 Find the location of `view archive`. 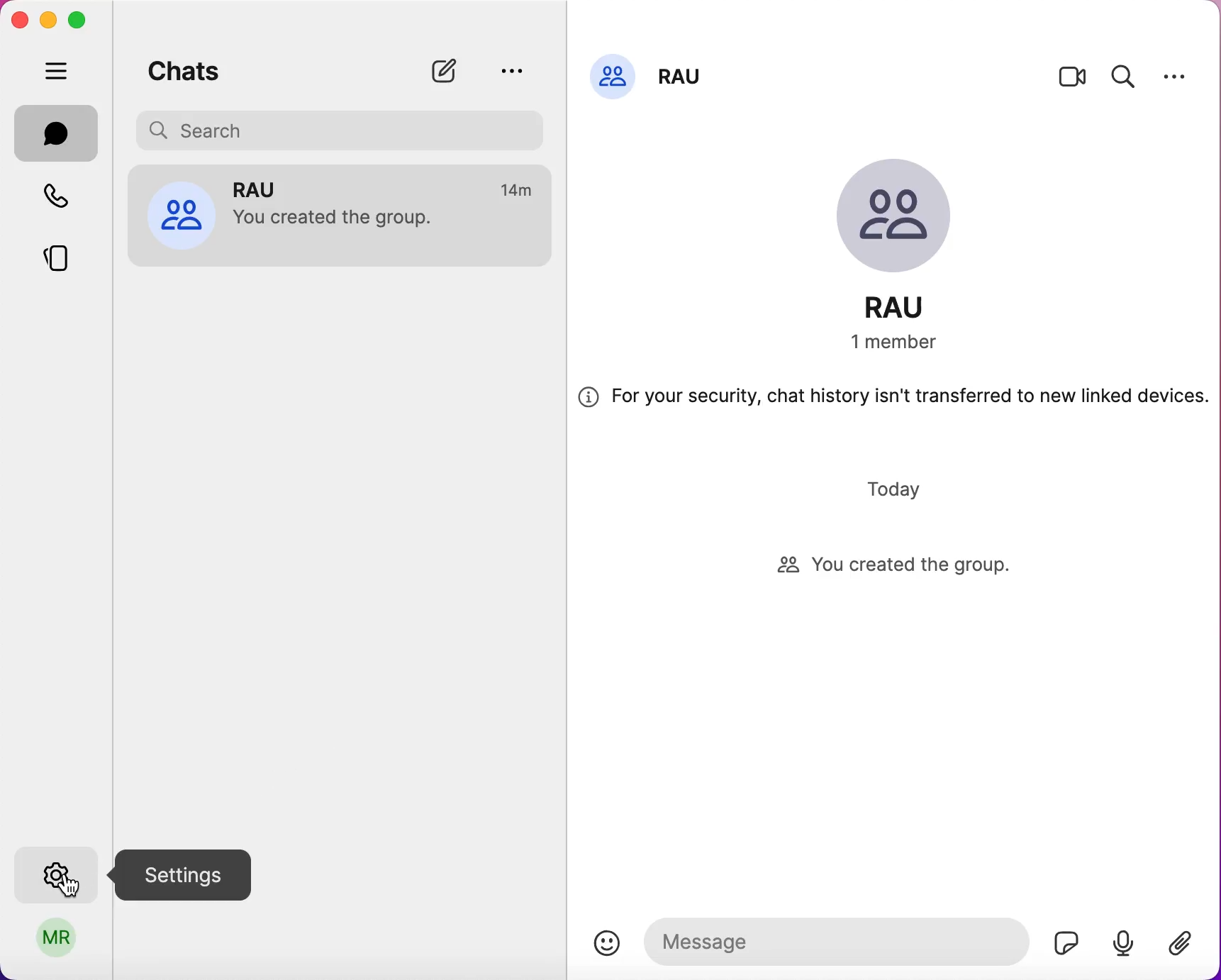

view archive is located at coordinates (517, 69).